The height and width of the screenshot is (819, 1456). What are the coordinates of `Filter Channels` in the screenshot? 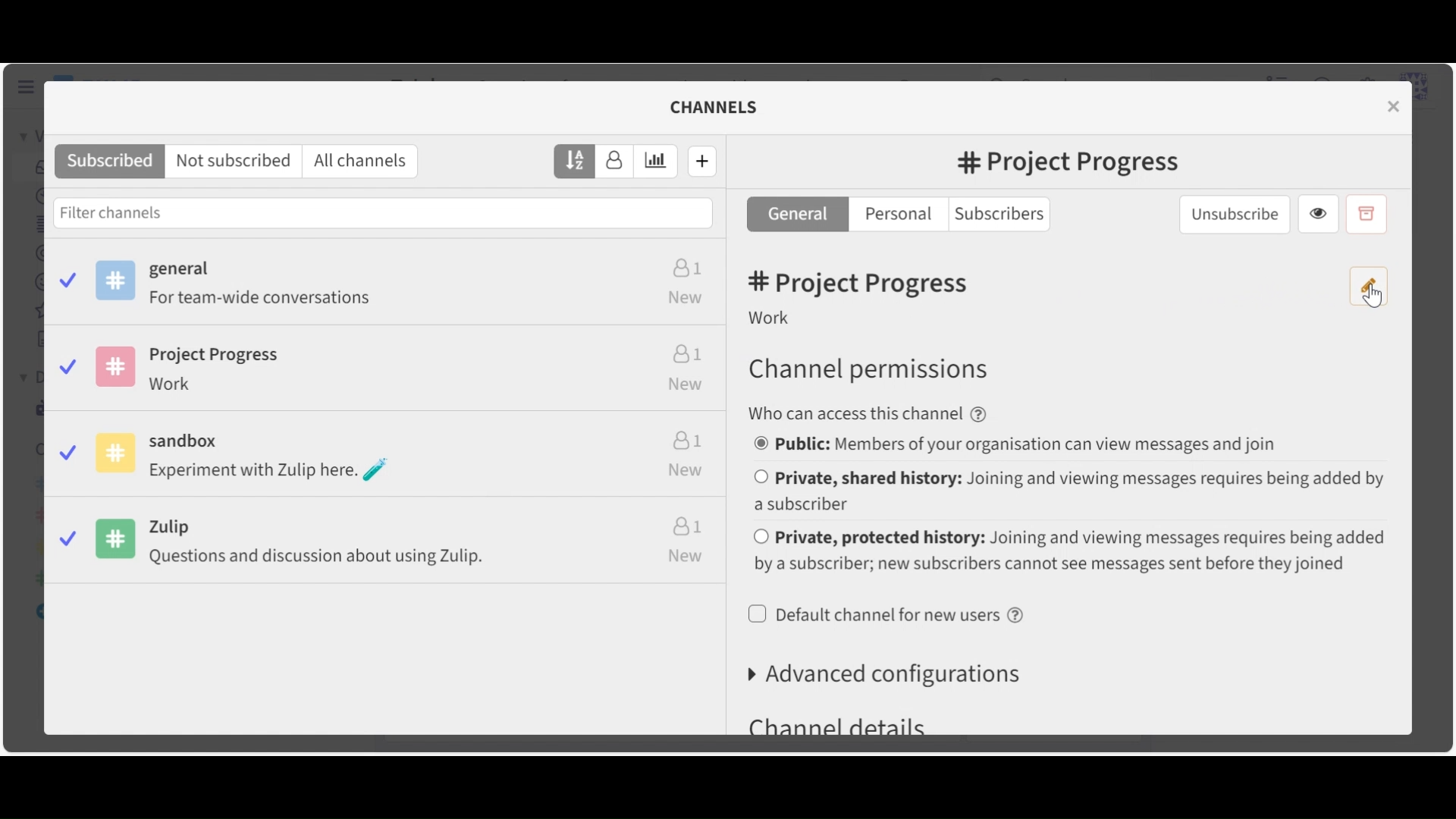 It's located at (381, 213).